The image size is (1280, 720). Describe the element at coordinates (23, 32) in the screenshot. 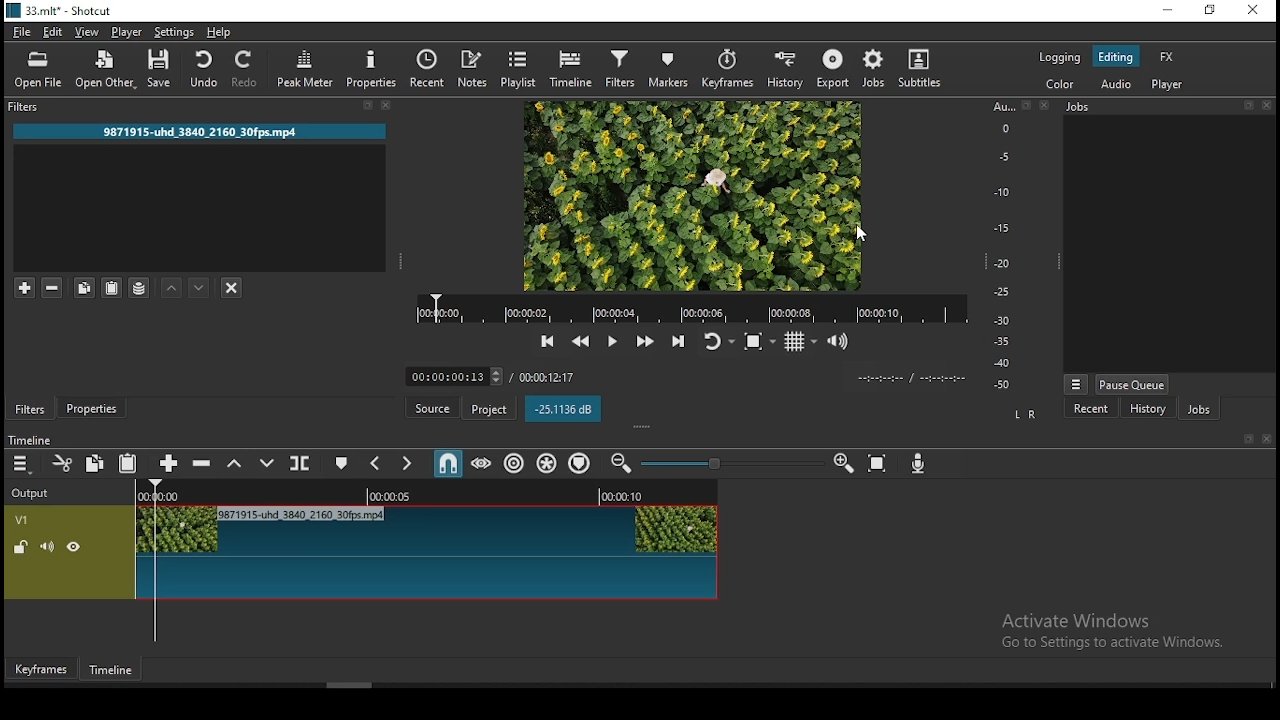

I see `file` at that location.